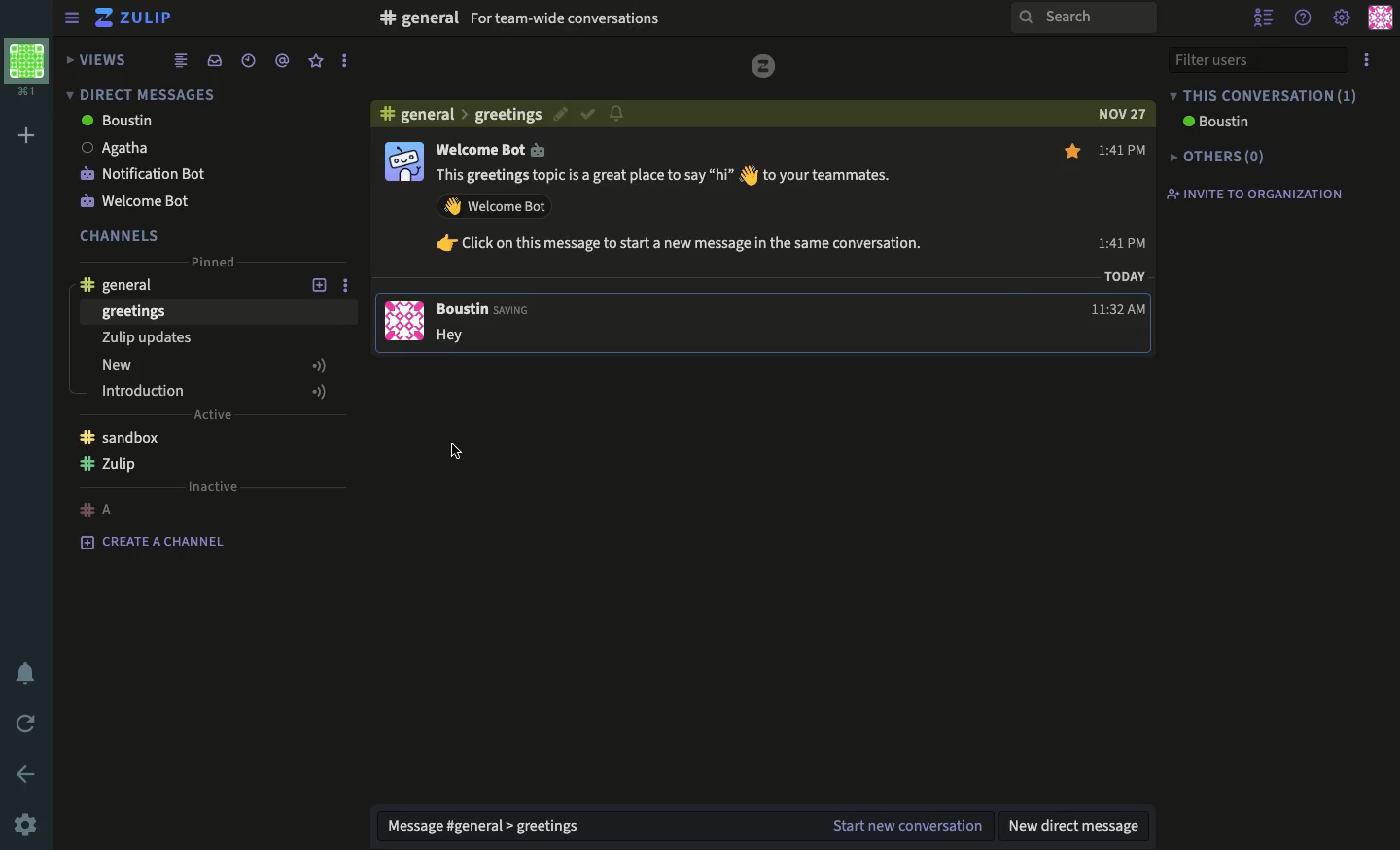  Describe the element at coordinates (1263, 95) in the screenshot. I see `this conversation` at that location.